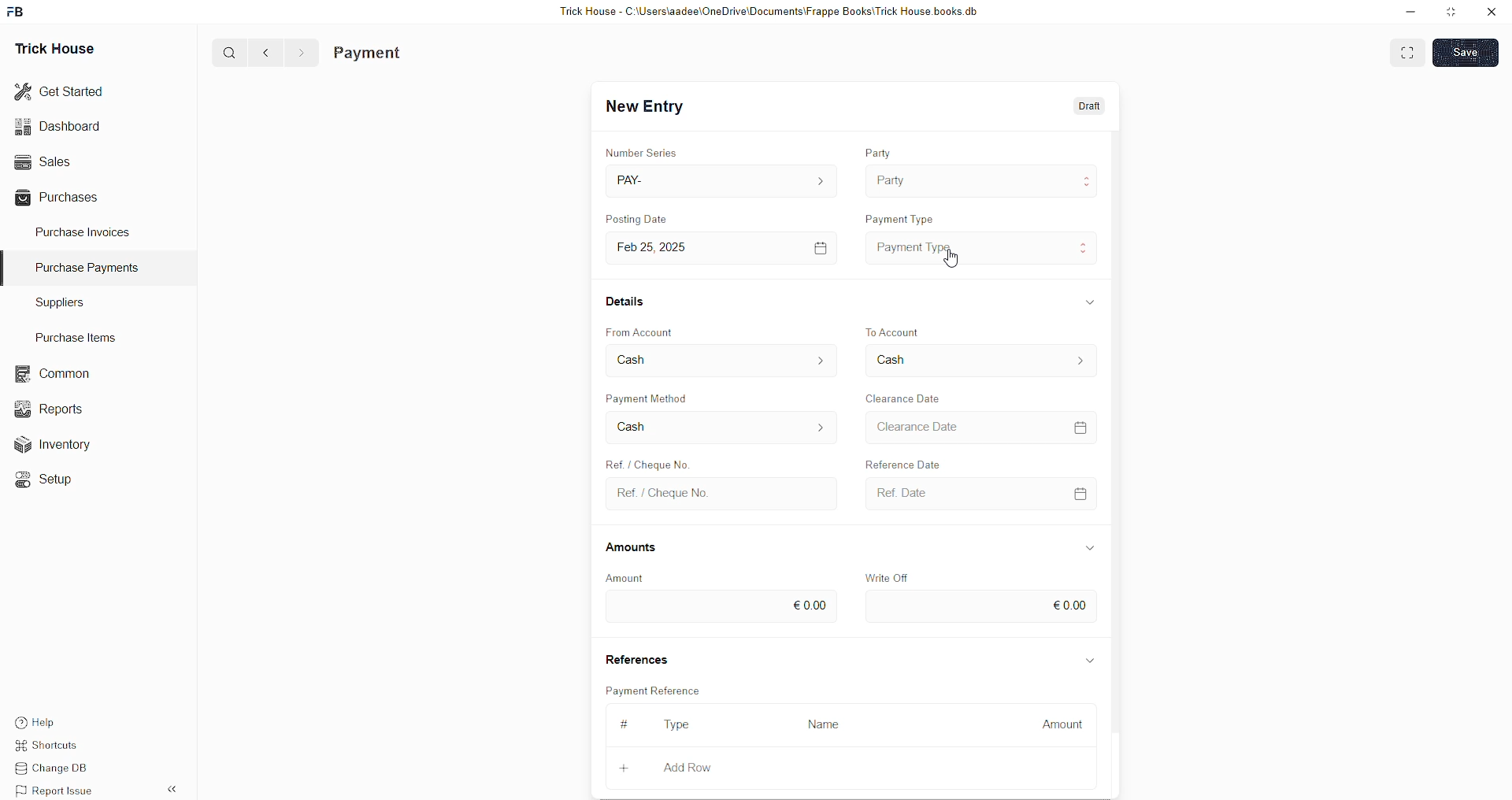 Image resolution: width=1512 pixels, height=800 pixels. What do you see at coordinates (905, 216) in the screenshot?
I see `Payment Type` at bounding box center [905, 216].